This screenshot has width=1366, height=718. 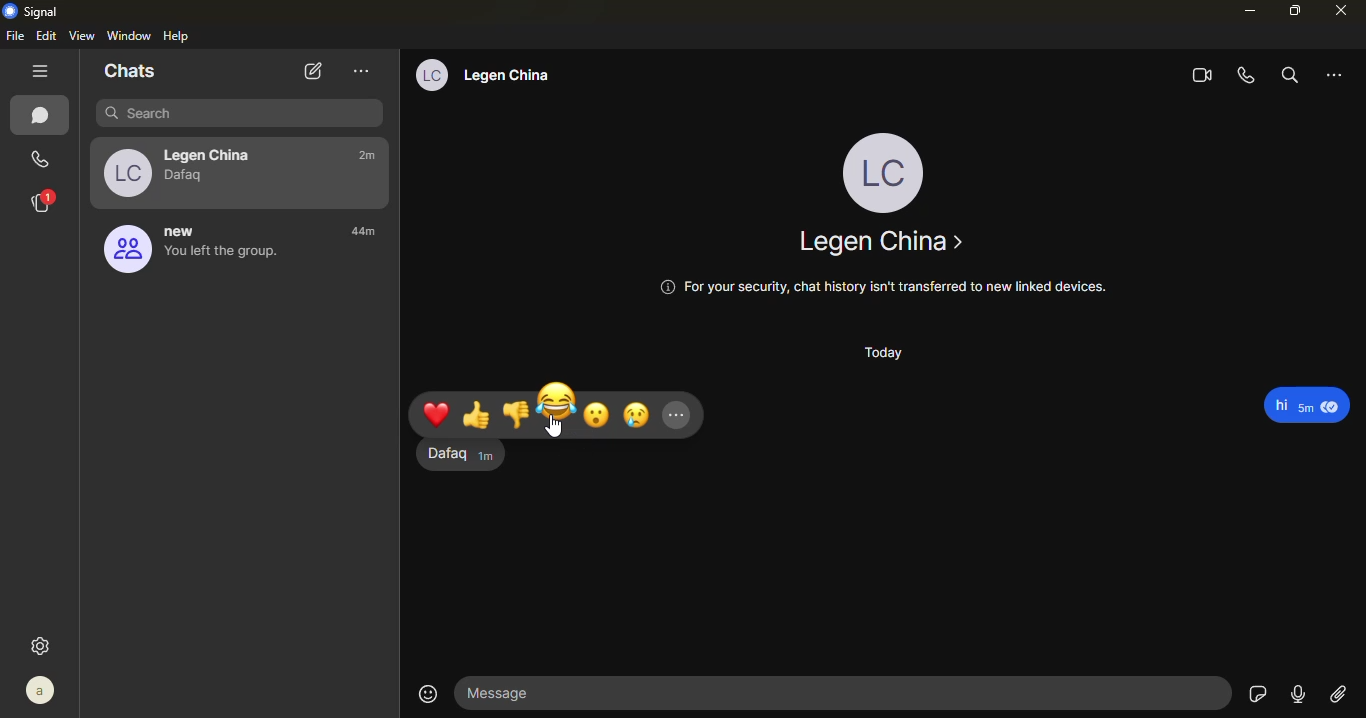 What do you see at coordinates (1337, 74) in the screenshot?
I see `more option` at bounding box center [1337, 74].